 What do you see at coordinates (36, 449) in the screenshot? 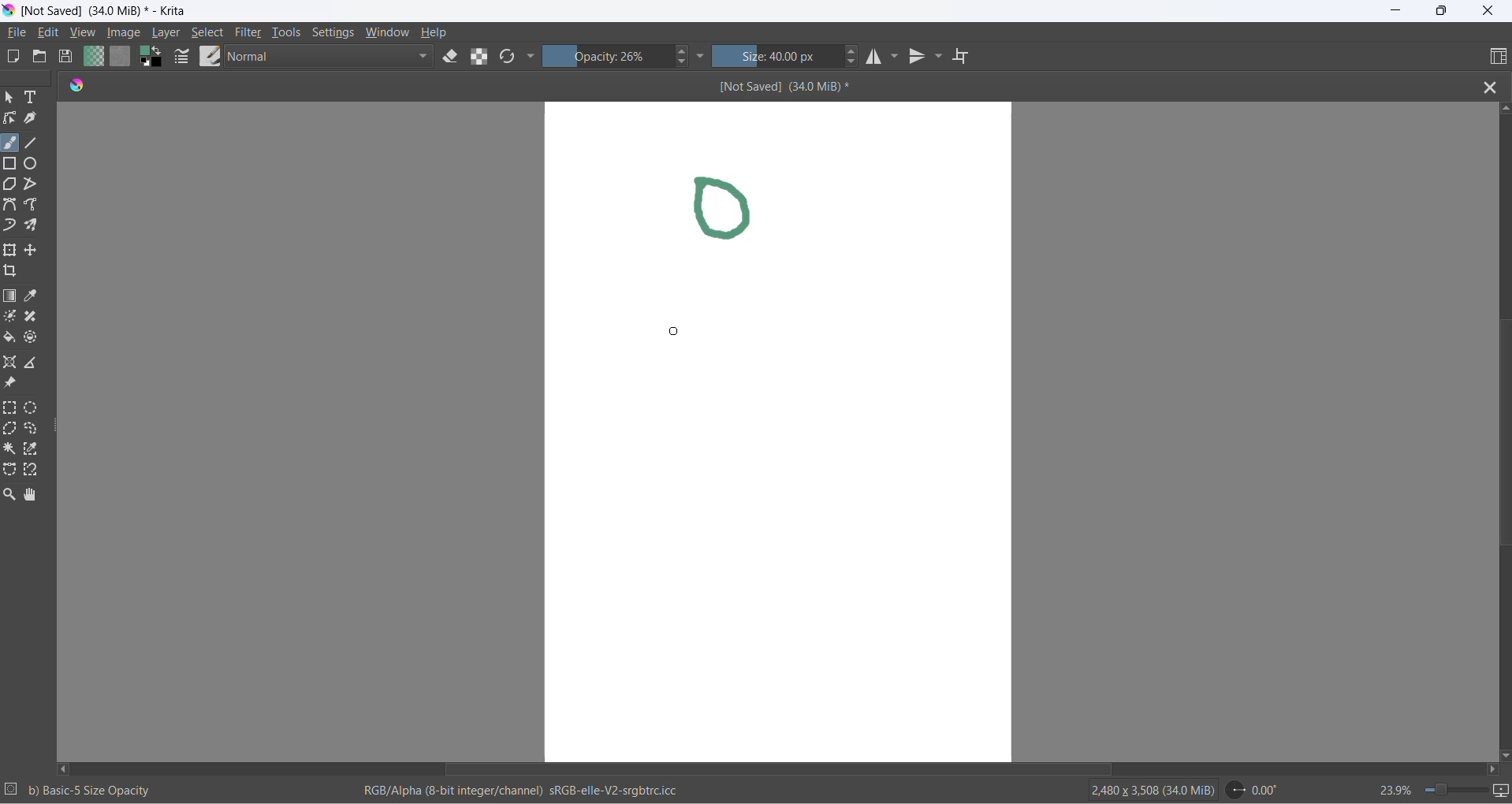
I see `similar color selection tool` at bounding box center [36, 449].